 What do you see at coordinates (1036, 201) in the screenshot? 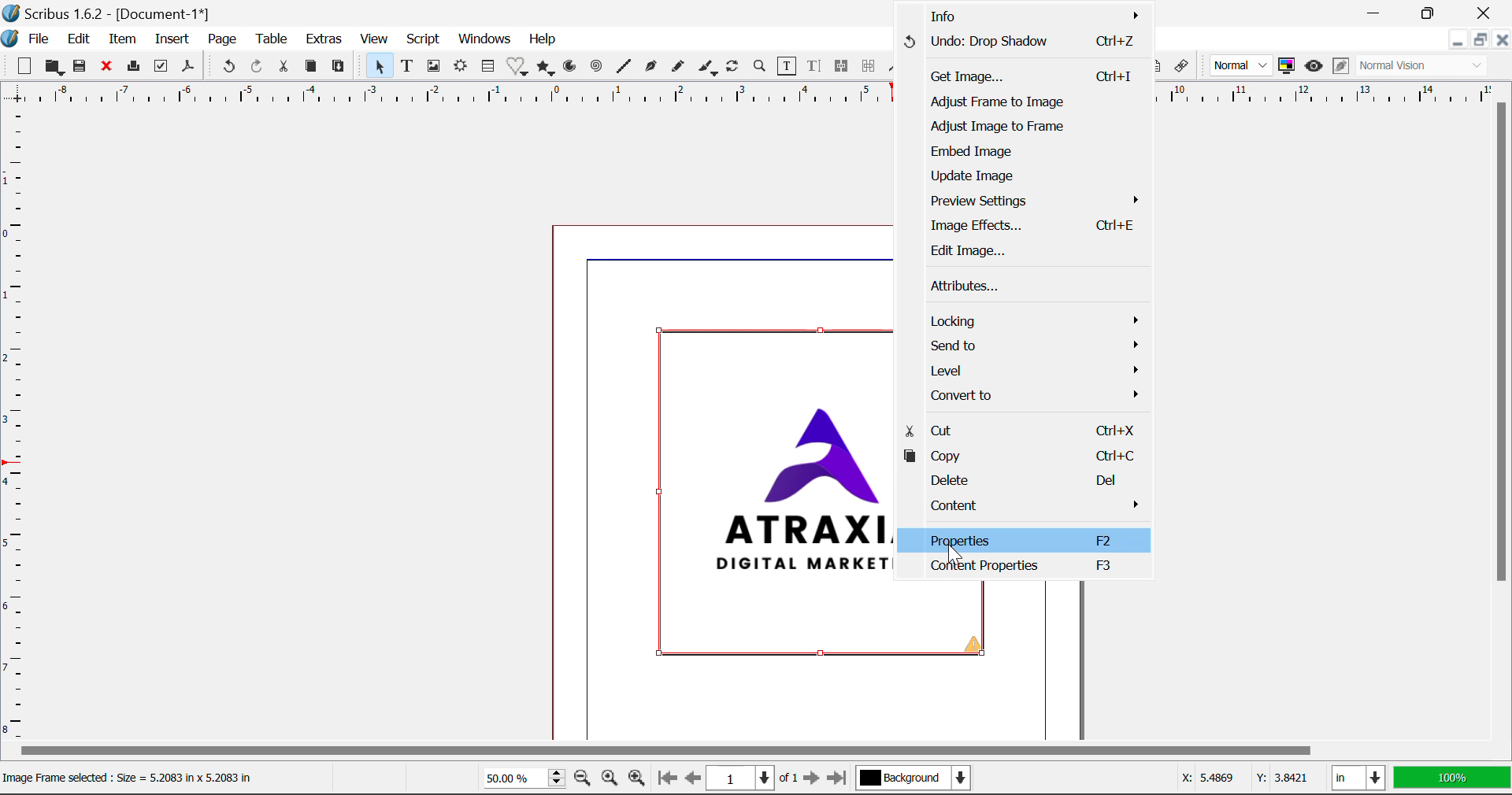
I see `Preview Settings` at bounding box center [1036, 201].